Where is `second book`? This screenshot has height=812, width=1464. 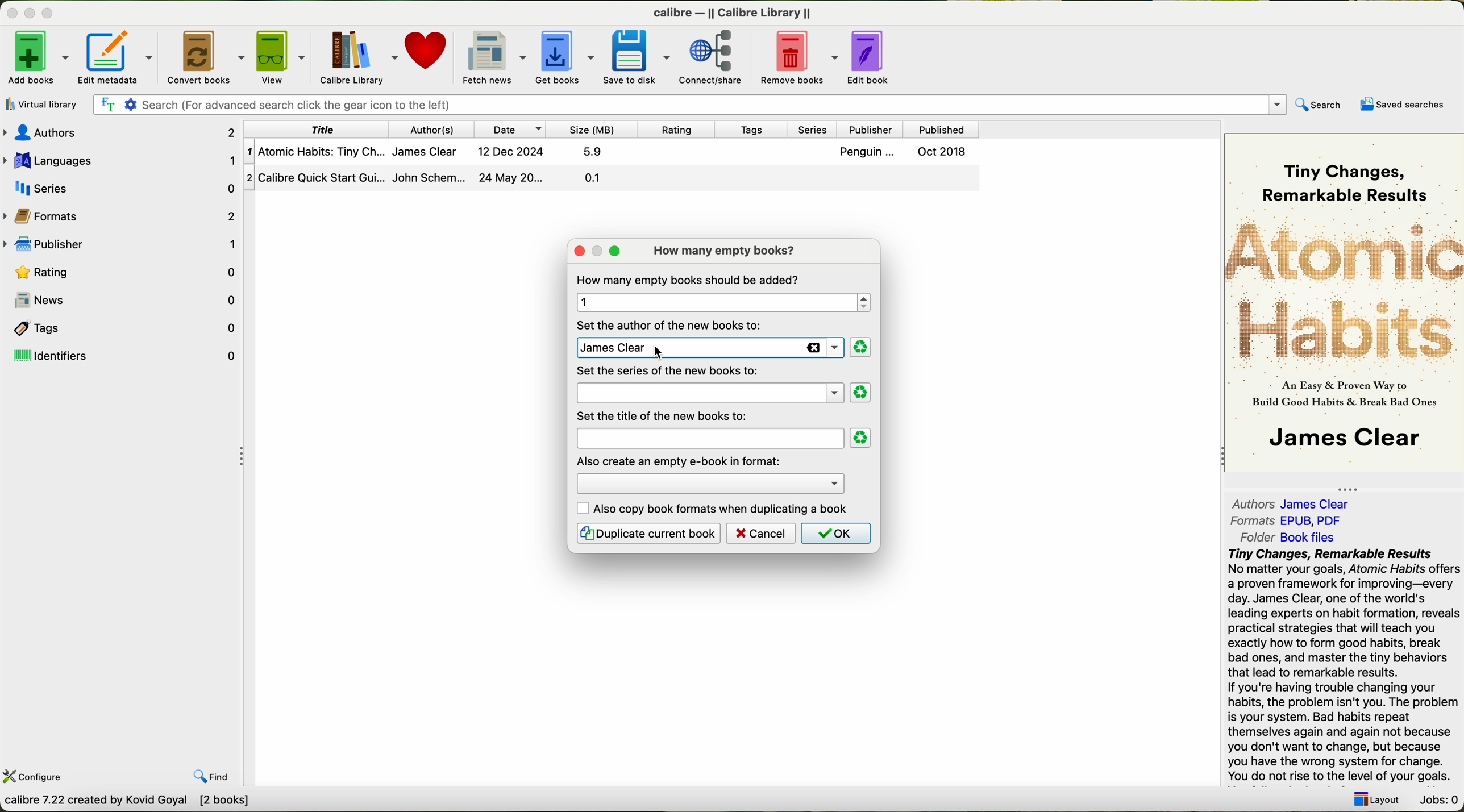
second book is located at coordinates (612, 179).